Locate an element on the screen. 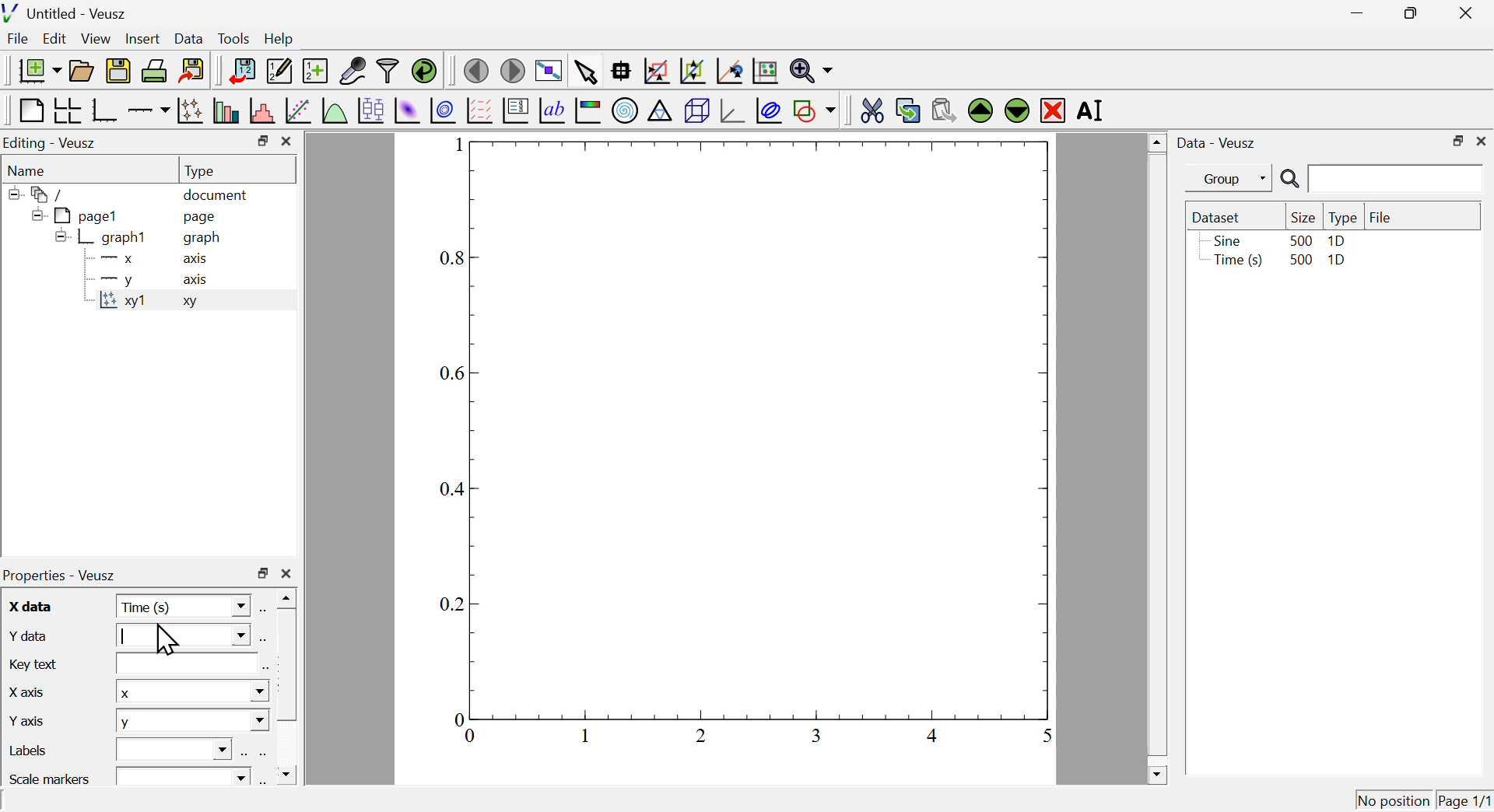 This screenshot has width=1494, height=812. y axis is located at coordinates (30, 719).